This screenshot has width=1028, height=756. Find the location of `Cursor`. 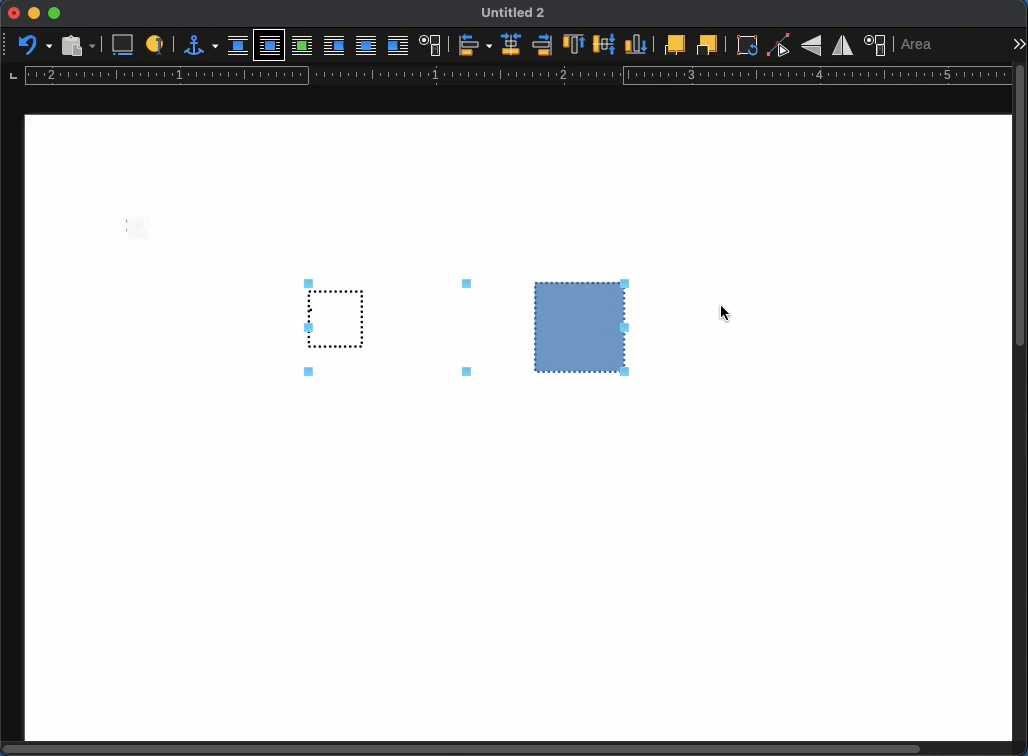

Cursor is located at coordinates (726, 312).